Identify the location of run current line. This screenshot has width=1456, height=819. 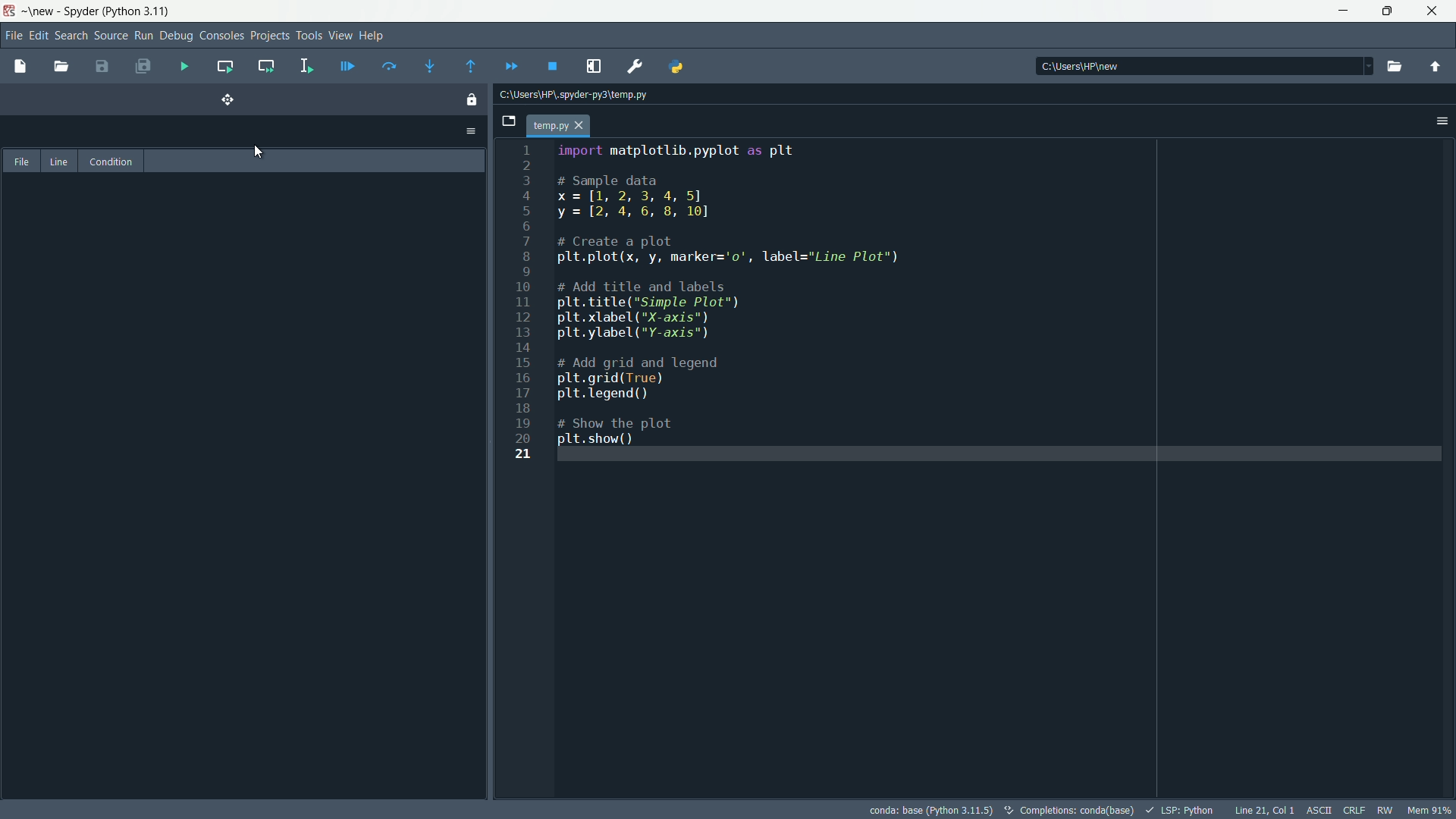
(386, 65).